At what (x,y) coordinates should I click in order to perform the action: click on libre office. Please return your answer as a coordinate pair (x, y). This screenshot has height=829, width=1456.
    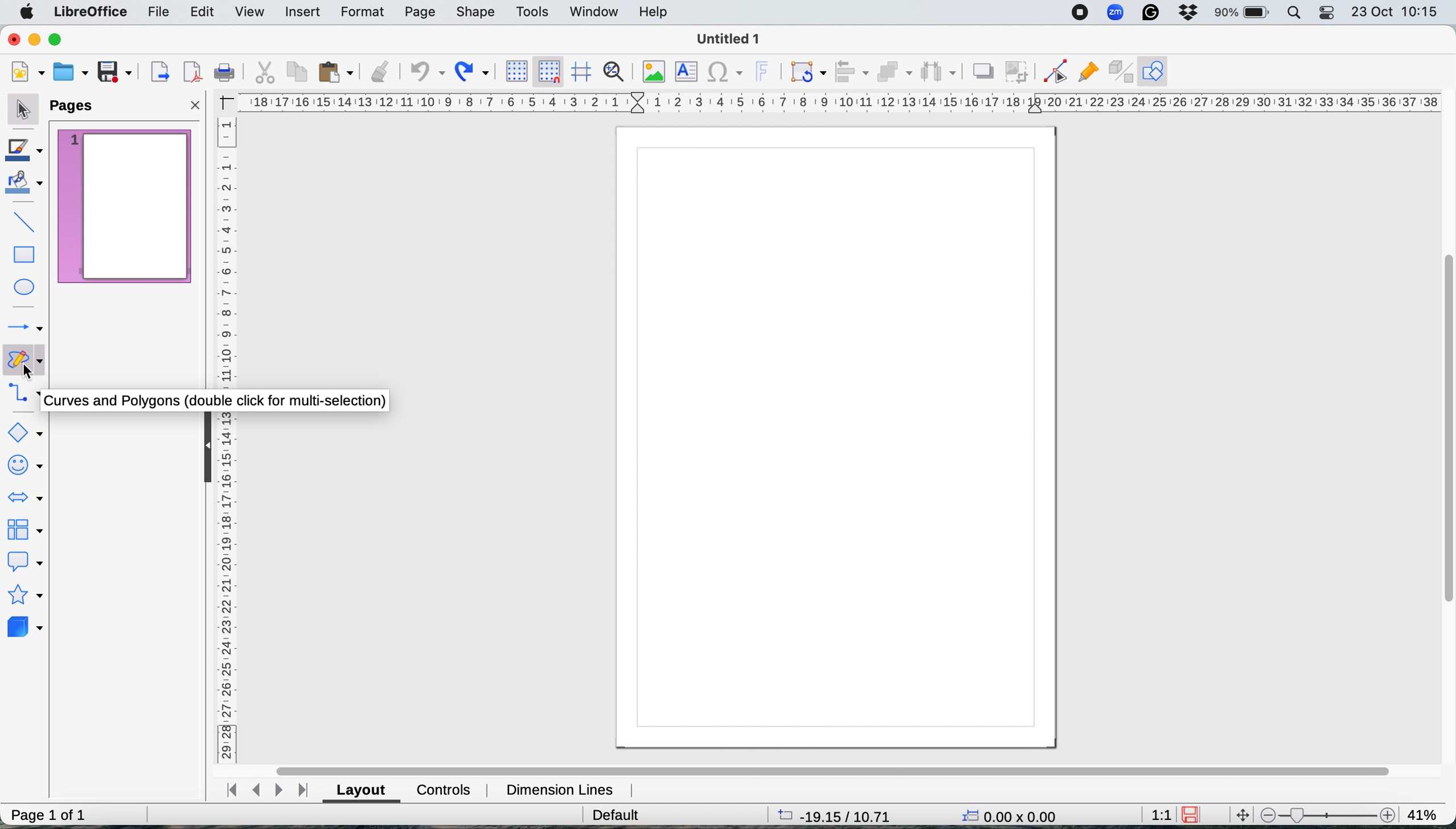
    Looking at the image, I should click on (92, 13).